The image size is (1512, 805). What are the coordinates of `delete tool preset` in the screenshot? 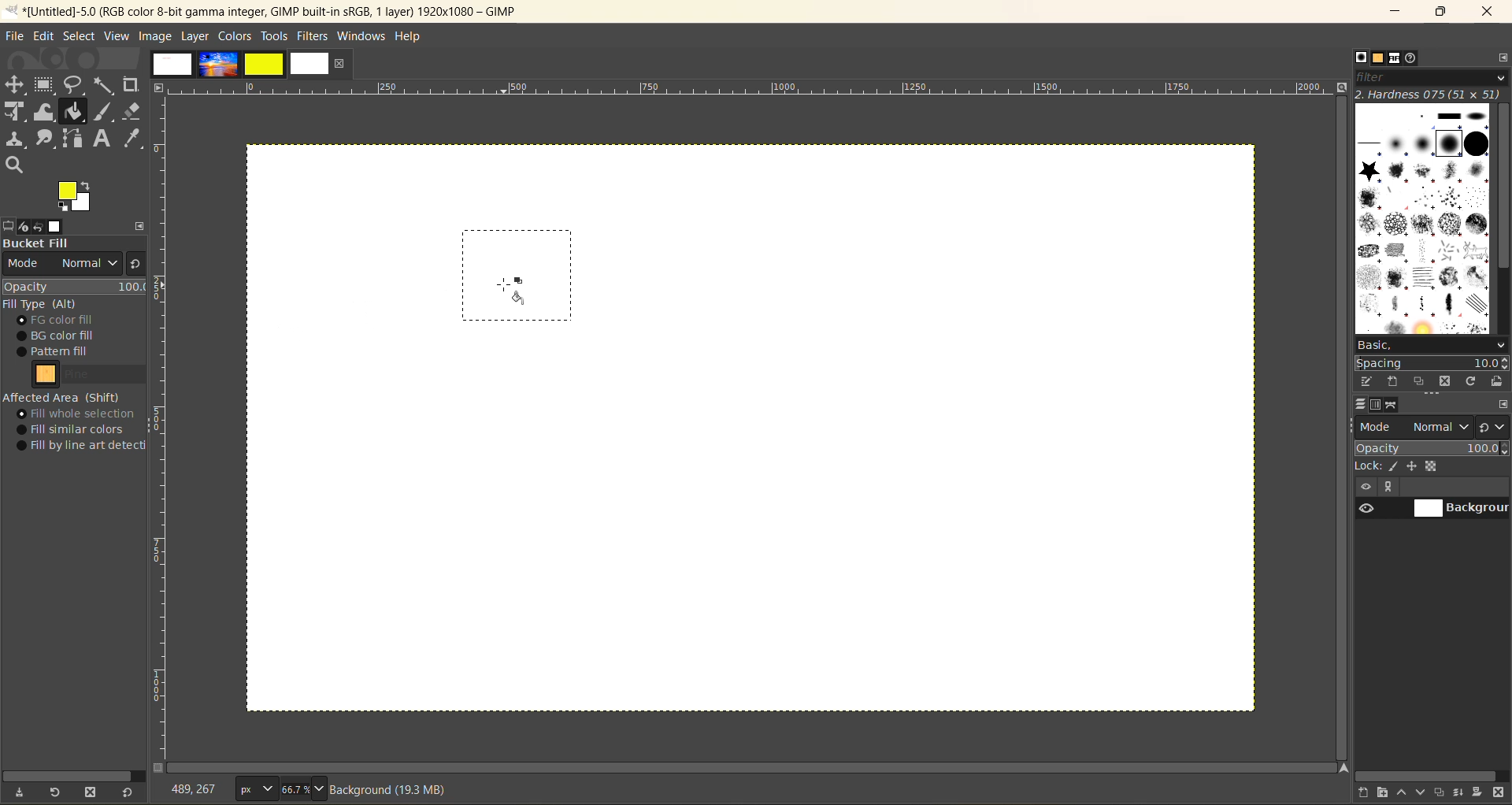 It's located at (94, 790).